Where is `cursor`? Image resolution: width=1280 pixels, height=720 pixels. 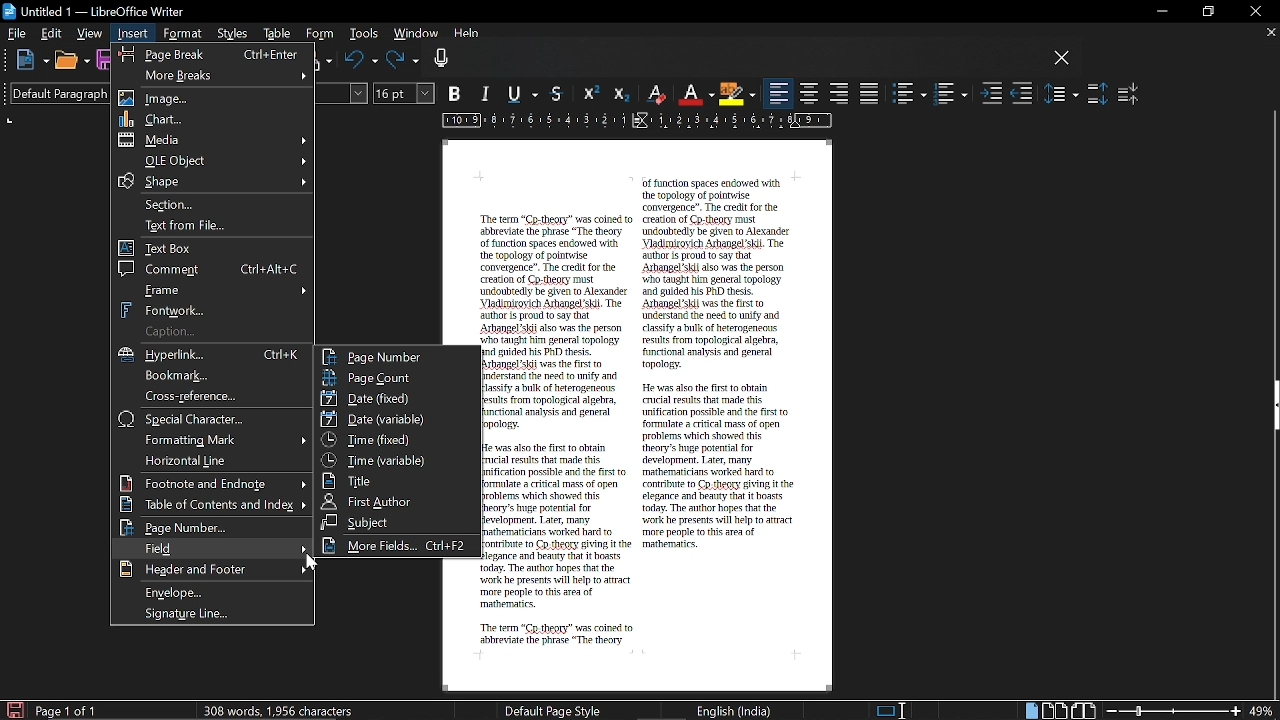 cursor is located at coordinates (311, 562).